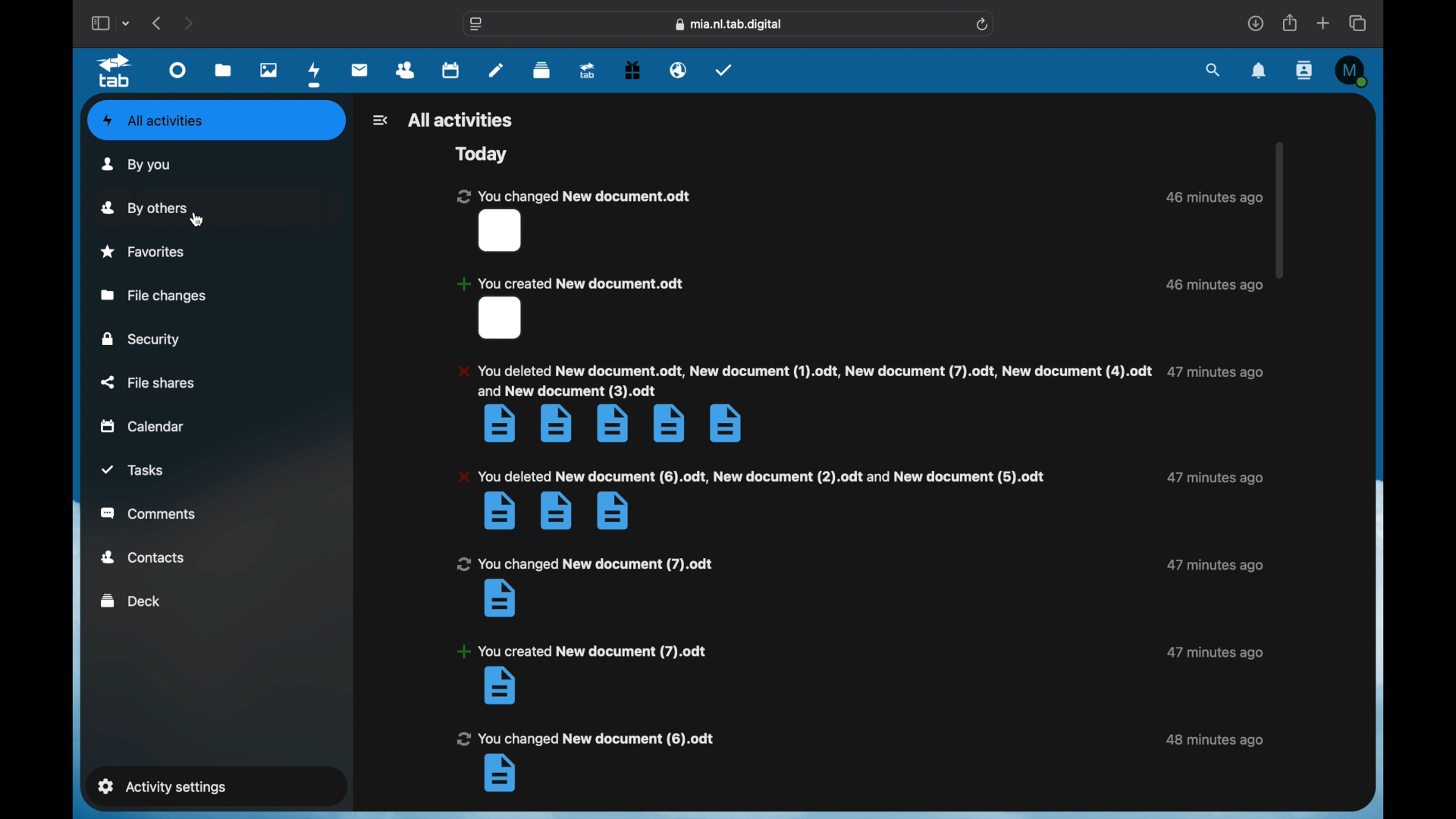  I want to click on all activities, so click(153, 120).